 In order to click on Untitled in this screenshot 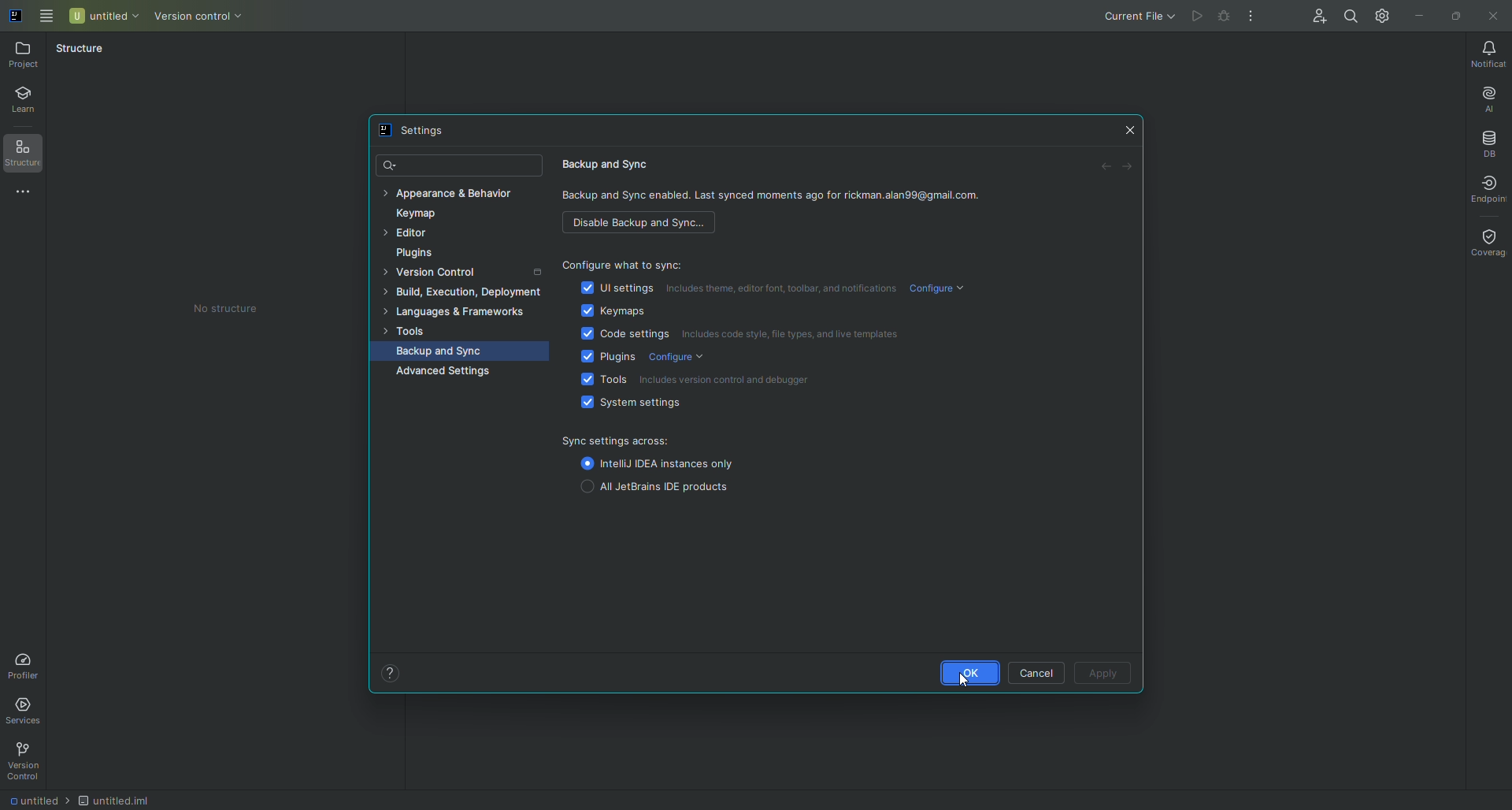, I will do `click(105, 15)`.